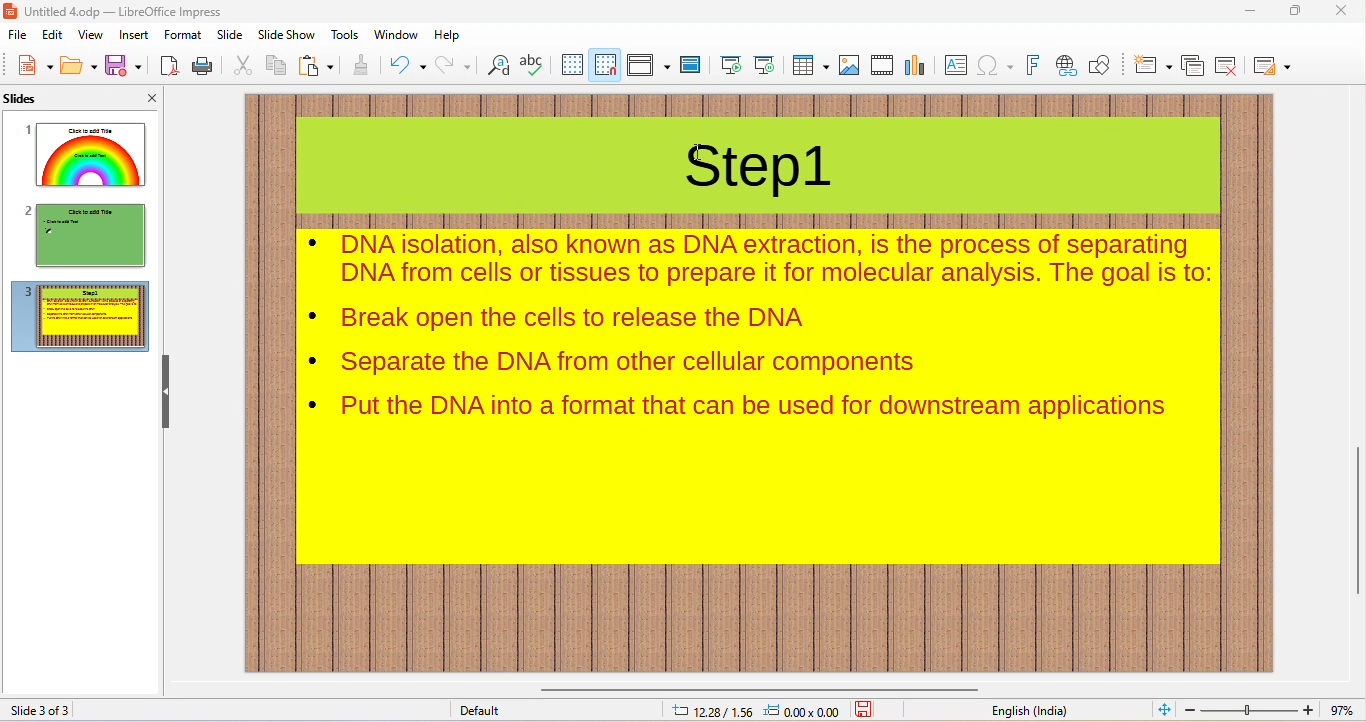 This screenshot has width=1366, height=722. What do you see at coordinates (691, 66) in the screenshot?
I see `master slide` at bounding box center [691, 66].